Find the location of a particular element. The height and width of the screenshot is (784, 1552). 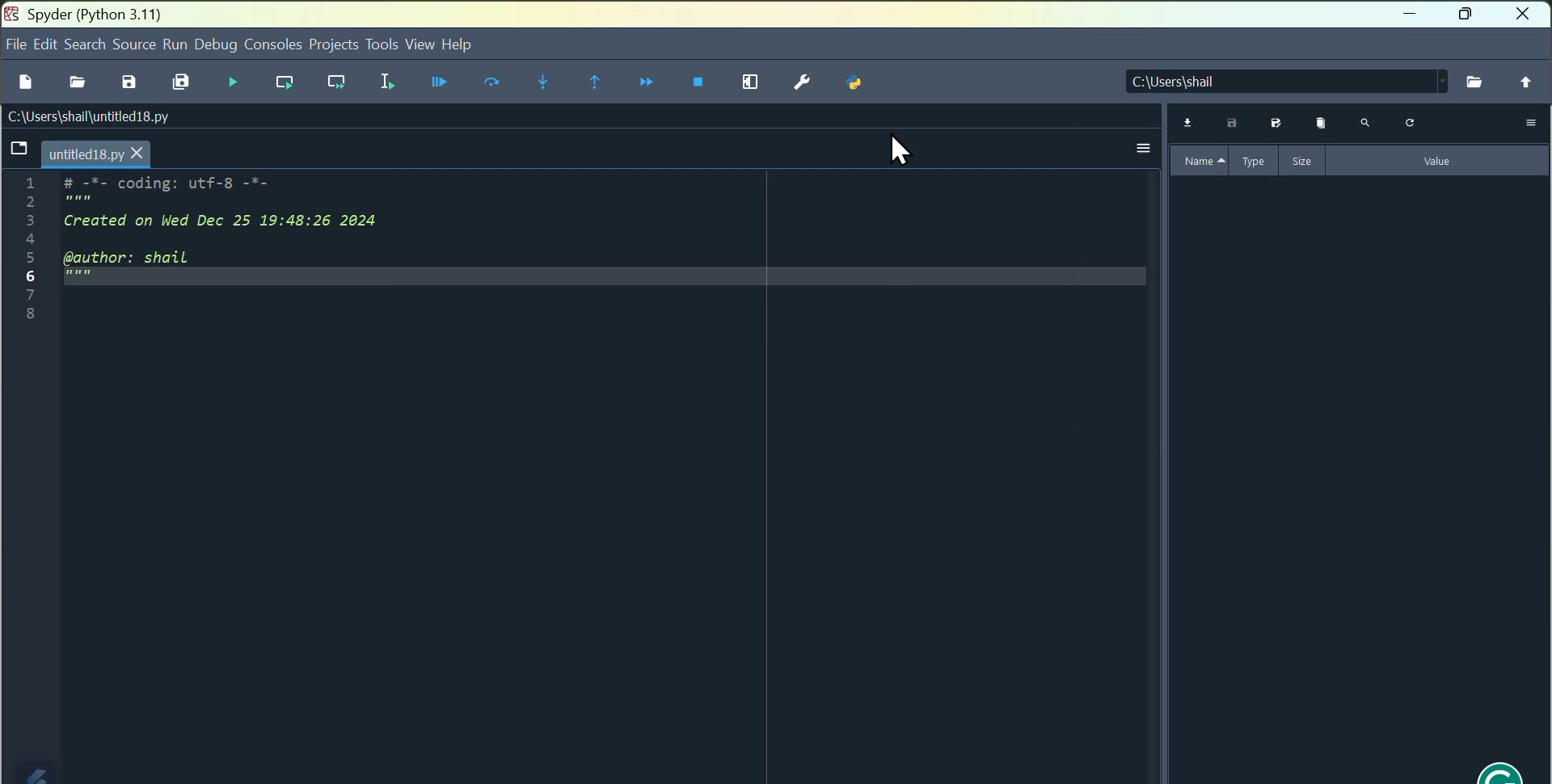

name is located at coordinates (1200, 160).